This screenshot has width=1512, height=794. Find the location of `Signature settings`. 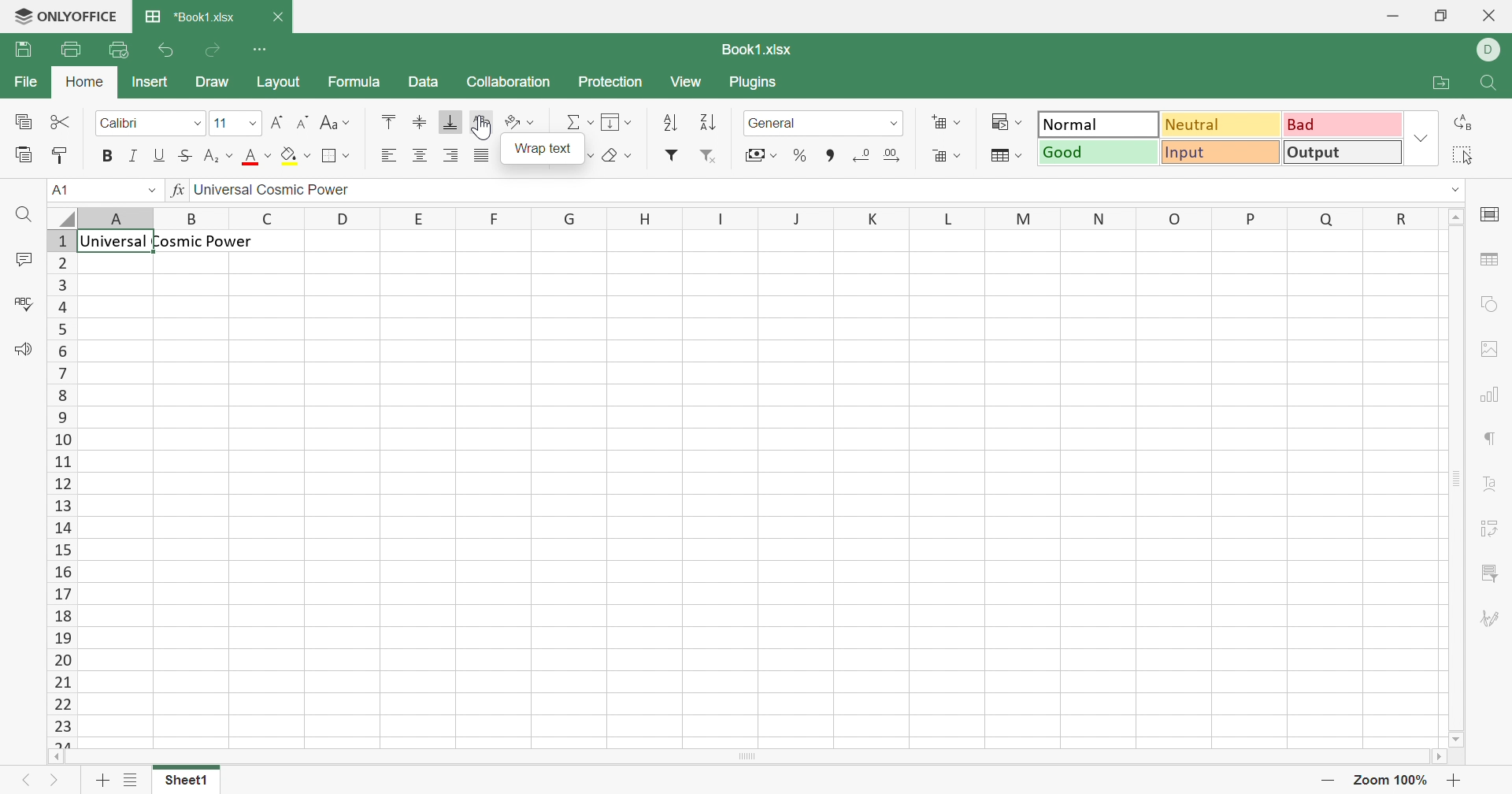

Signature settings is located at coordinates (1494, 618).